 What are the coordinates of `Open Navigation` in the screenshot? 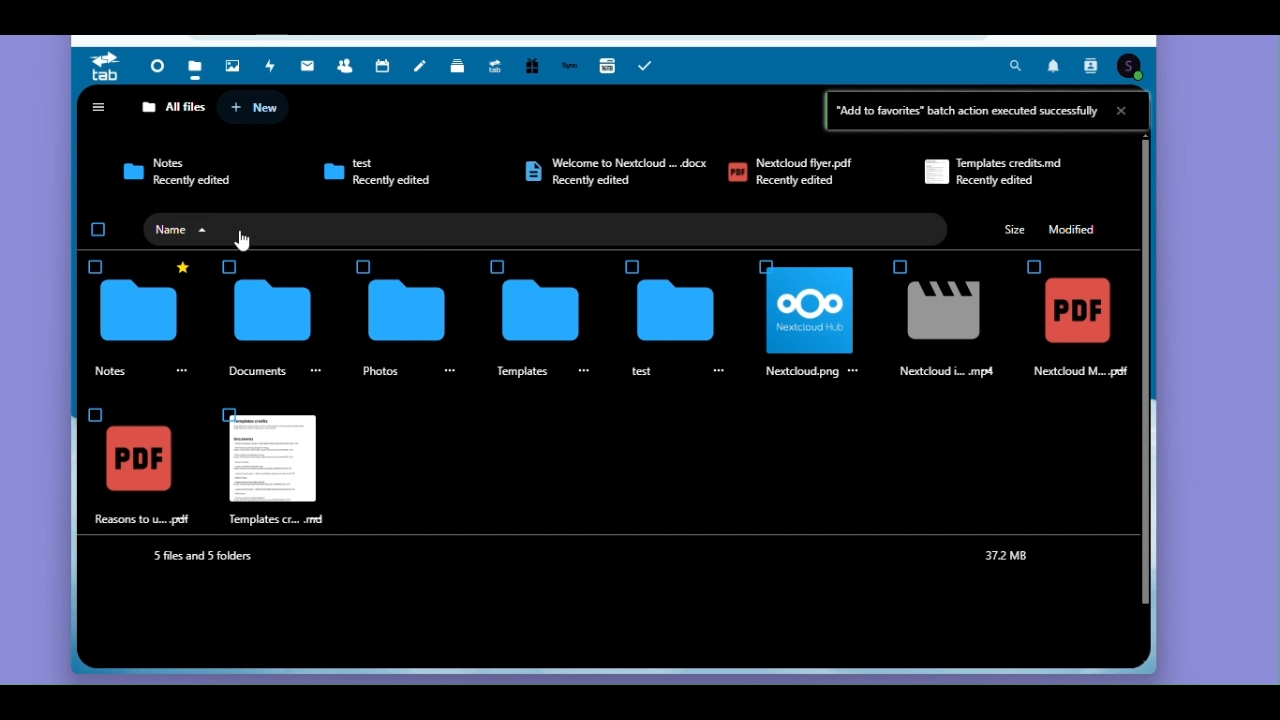 It's located at (98, 106).